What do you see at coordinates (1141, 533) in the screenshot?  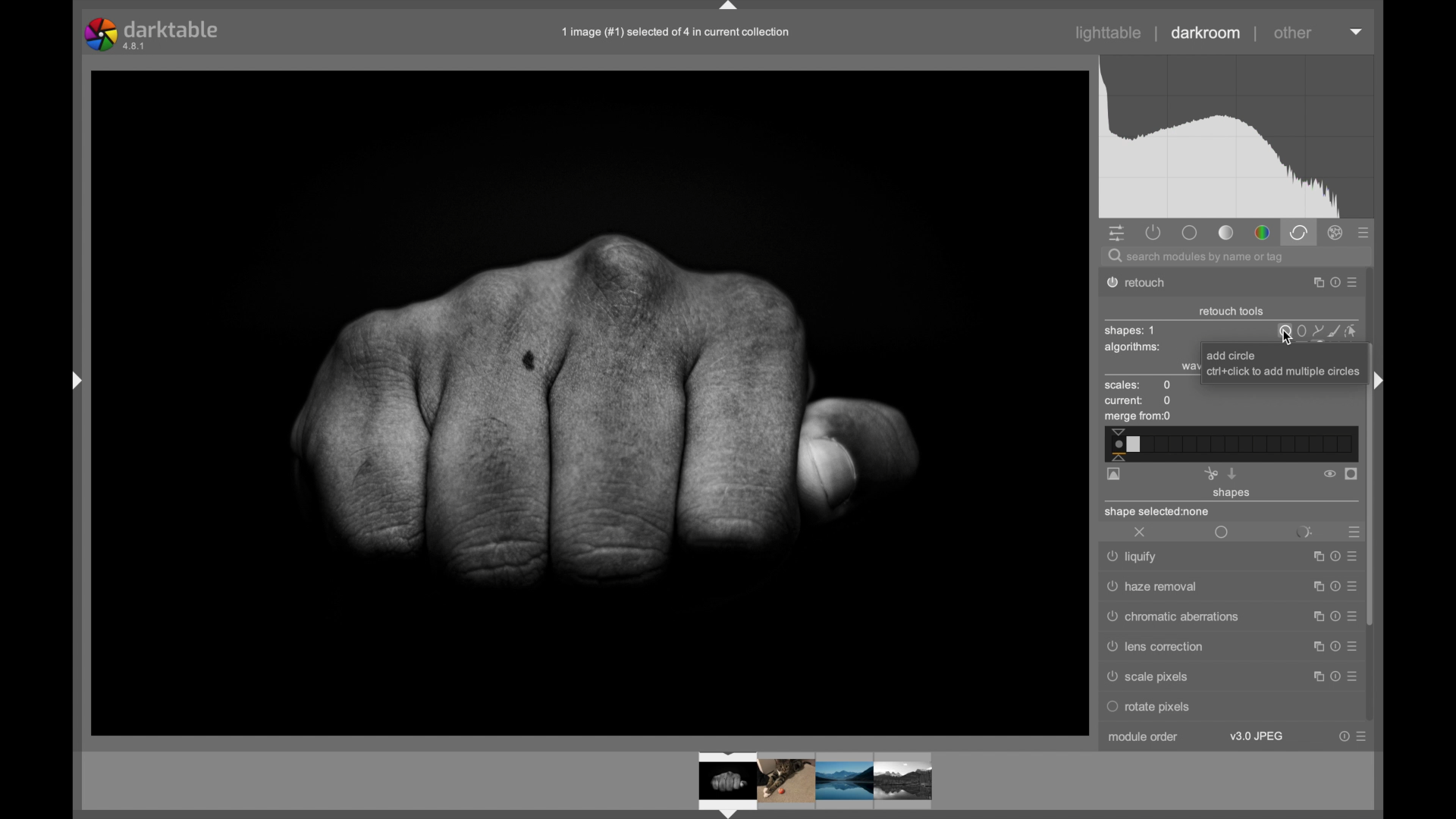 I see `off` at bounding box center [1141, 533].